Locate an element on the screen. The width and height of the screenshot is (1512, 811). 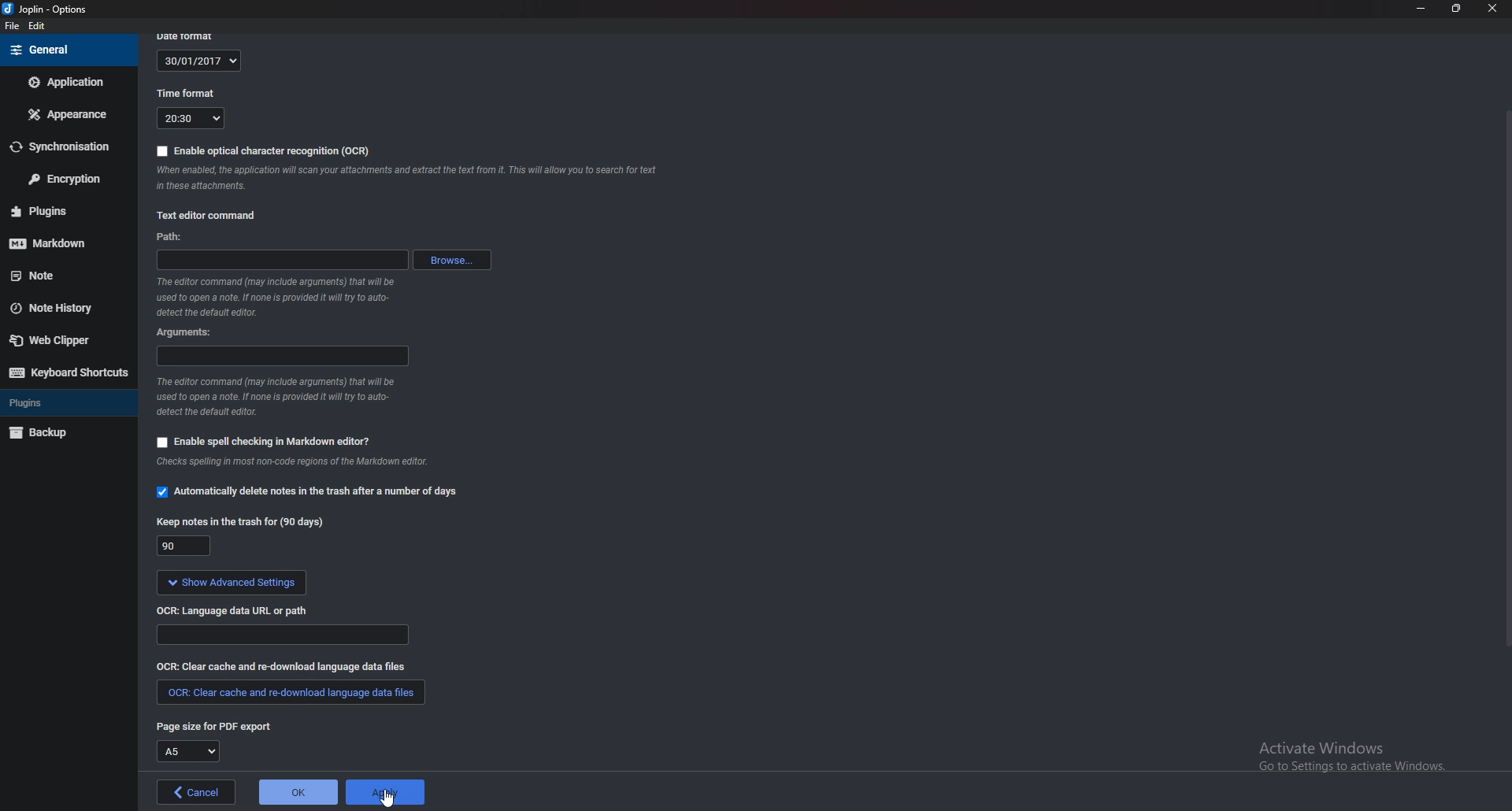
Application is located at coordinates (68, 82).